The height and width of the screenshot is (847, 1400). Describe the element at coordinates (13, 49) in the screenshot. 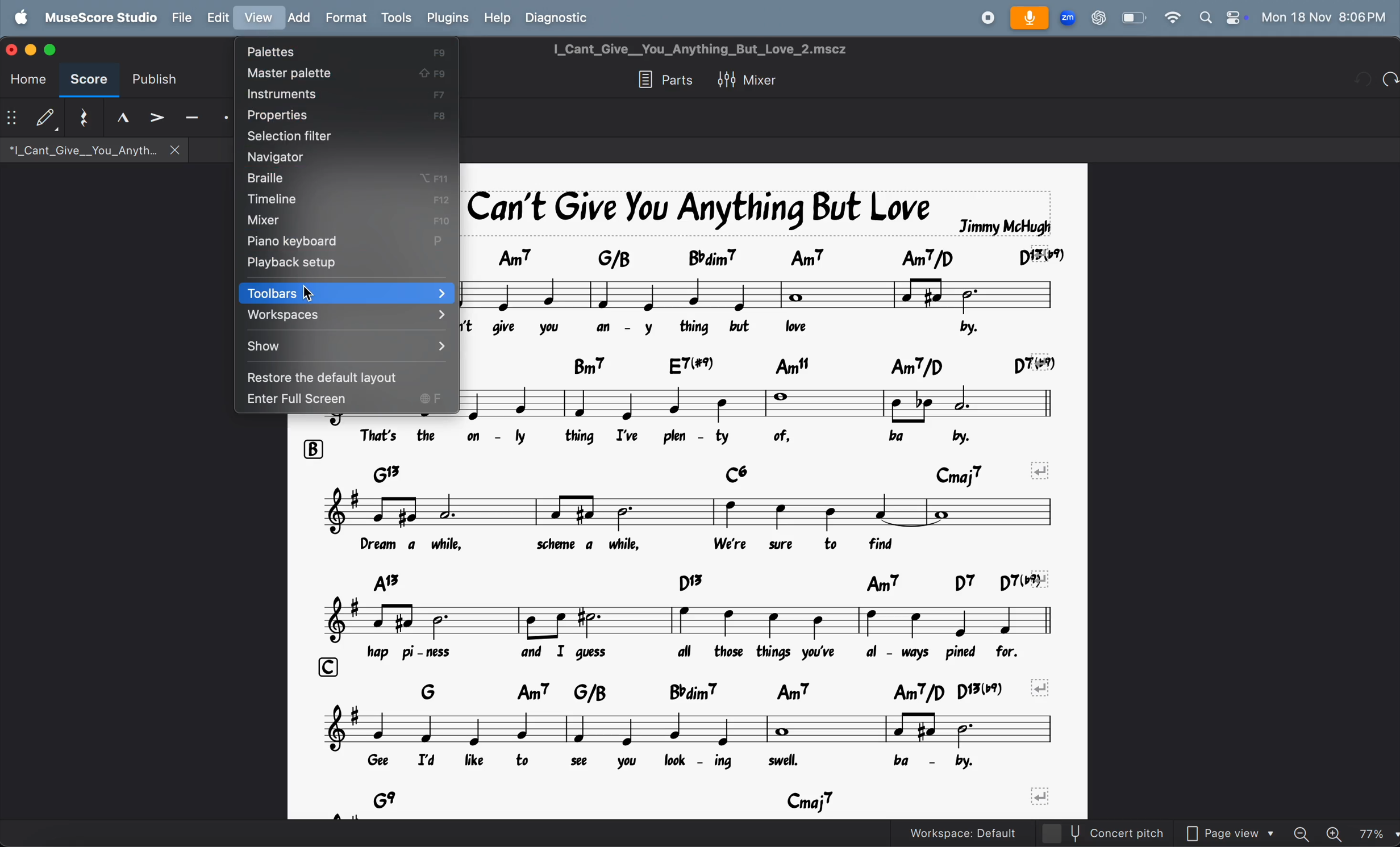

I see `close` at that location.